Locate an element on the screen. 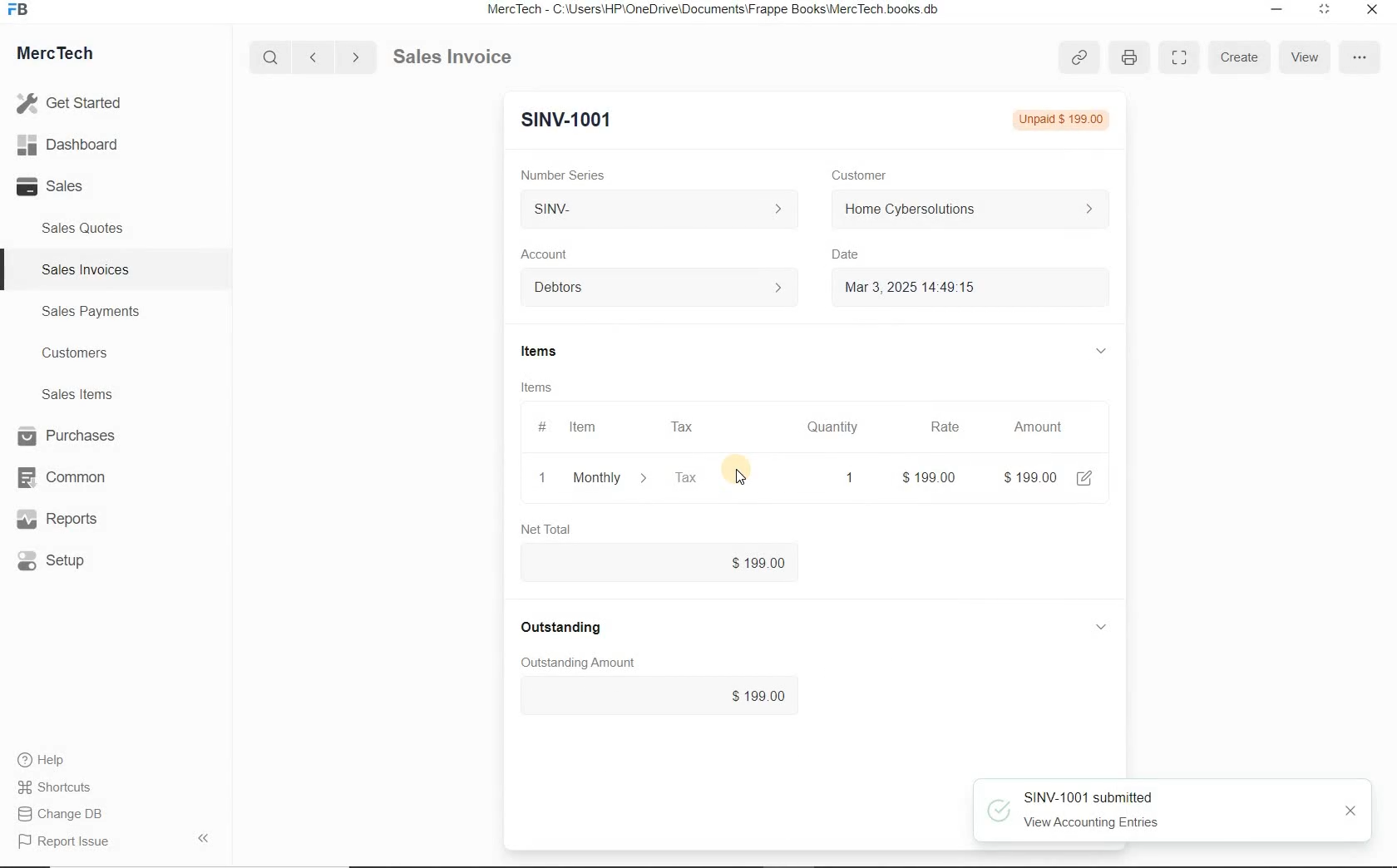 The height and width of the screenshot is (868, 1397). SINV-1001 submitted View Accounting Entries is located at coordinates (1151, 810).